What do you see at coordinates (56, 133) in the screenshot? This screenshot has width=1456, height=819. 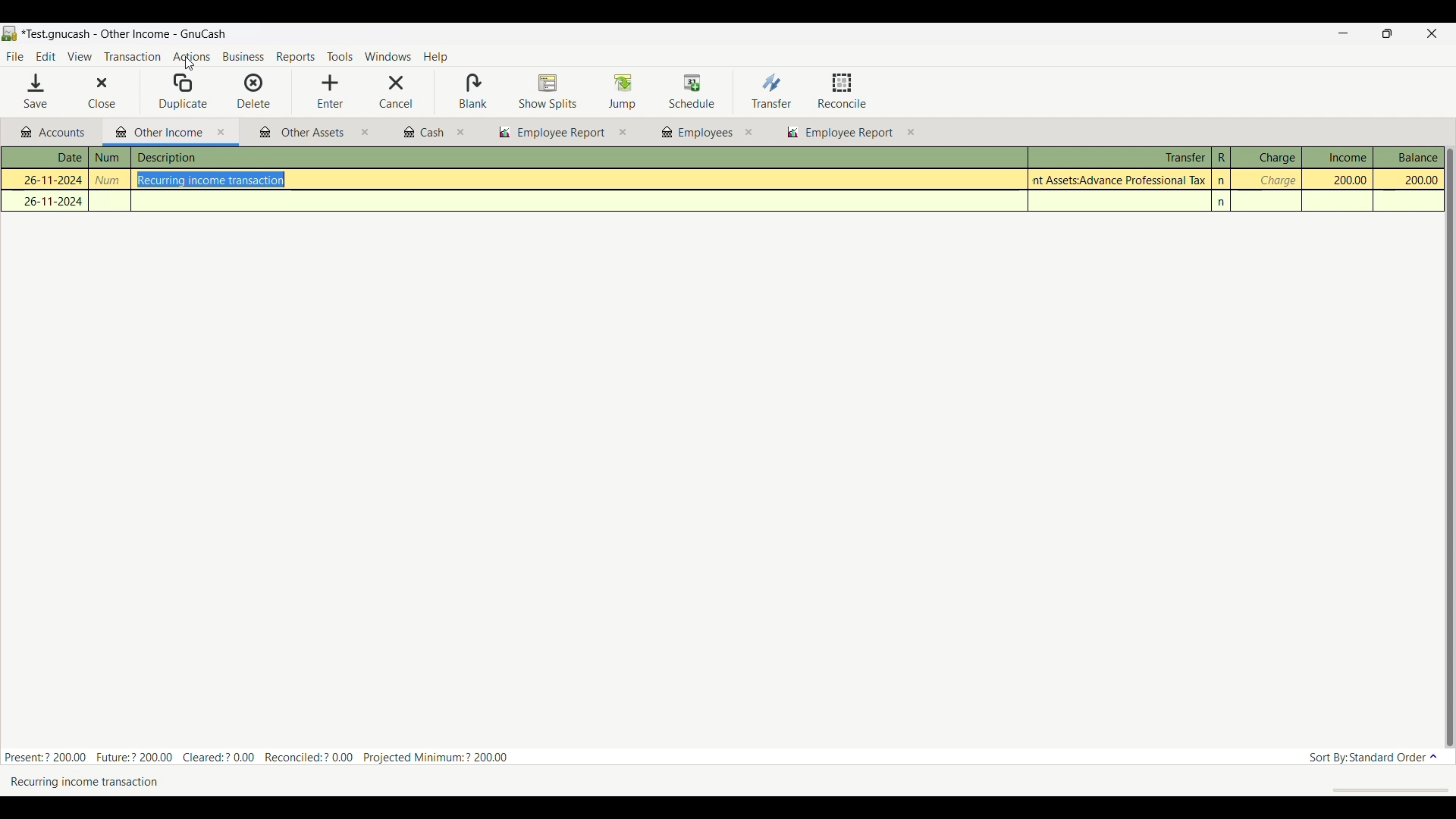 I see `Accounts` at bounding box center [56, 133].